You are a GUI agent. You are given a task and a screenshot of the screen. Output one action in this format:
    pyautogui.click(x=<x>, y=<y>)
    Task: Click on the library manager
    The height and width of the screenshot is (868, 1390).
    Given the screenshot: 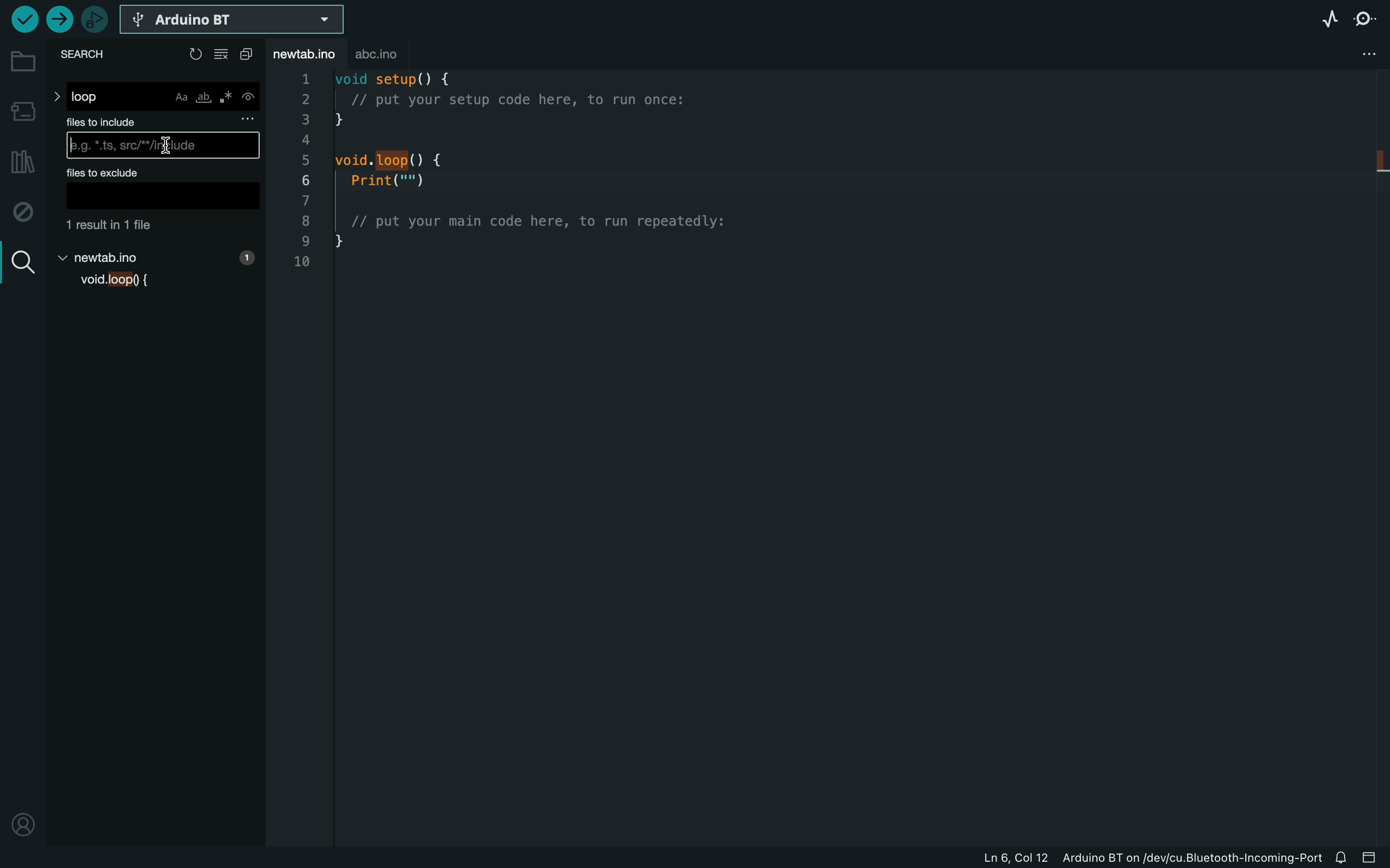 What is the action you would take?
    pyautogui.click(x=20, y=164)
    